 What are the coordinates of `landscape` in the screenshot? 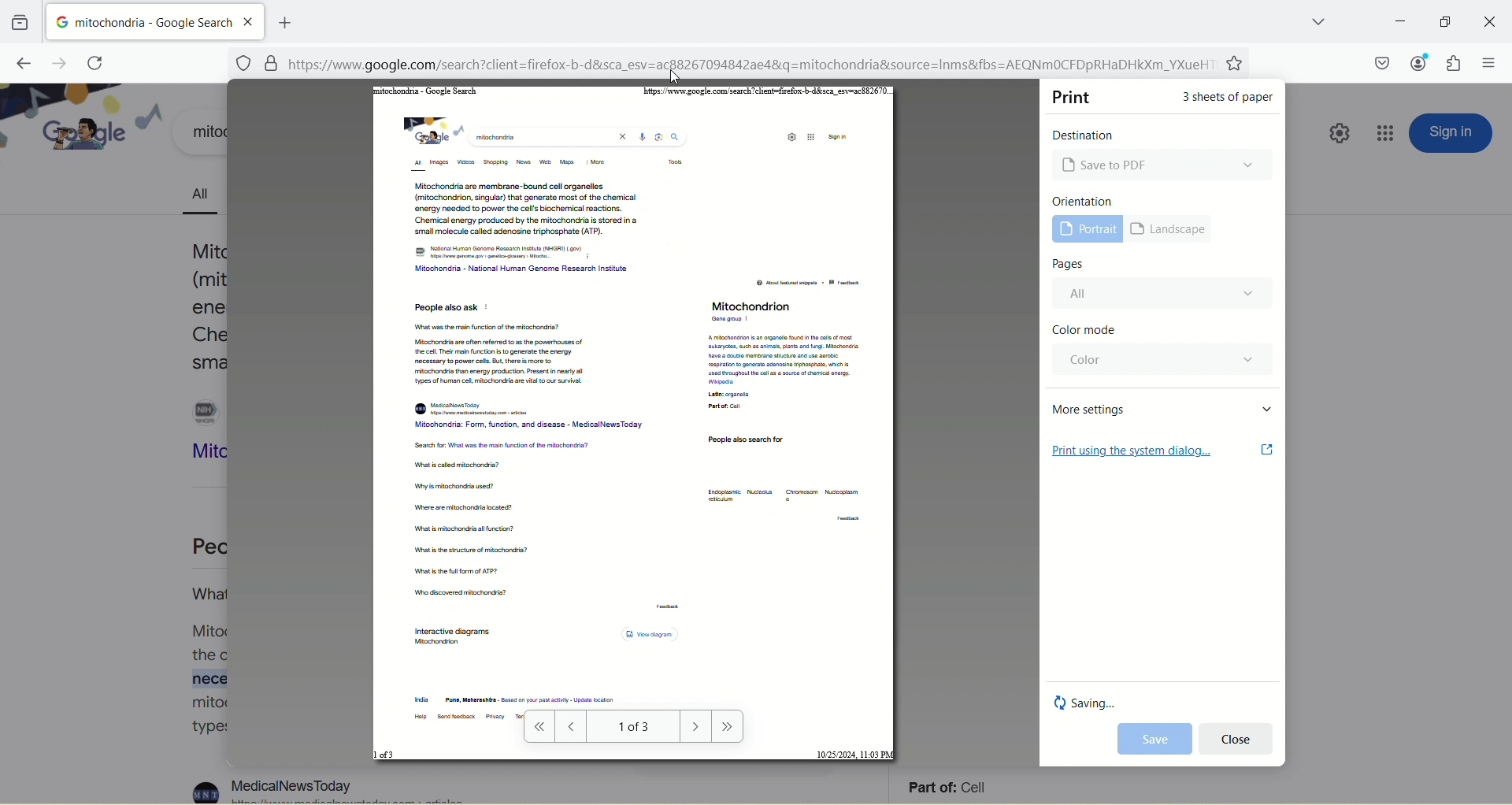 It's located at (1173, 230).